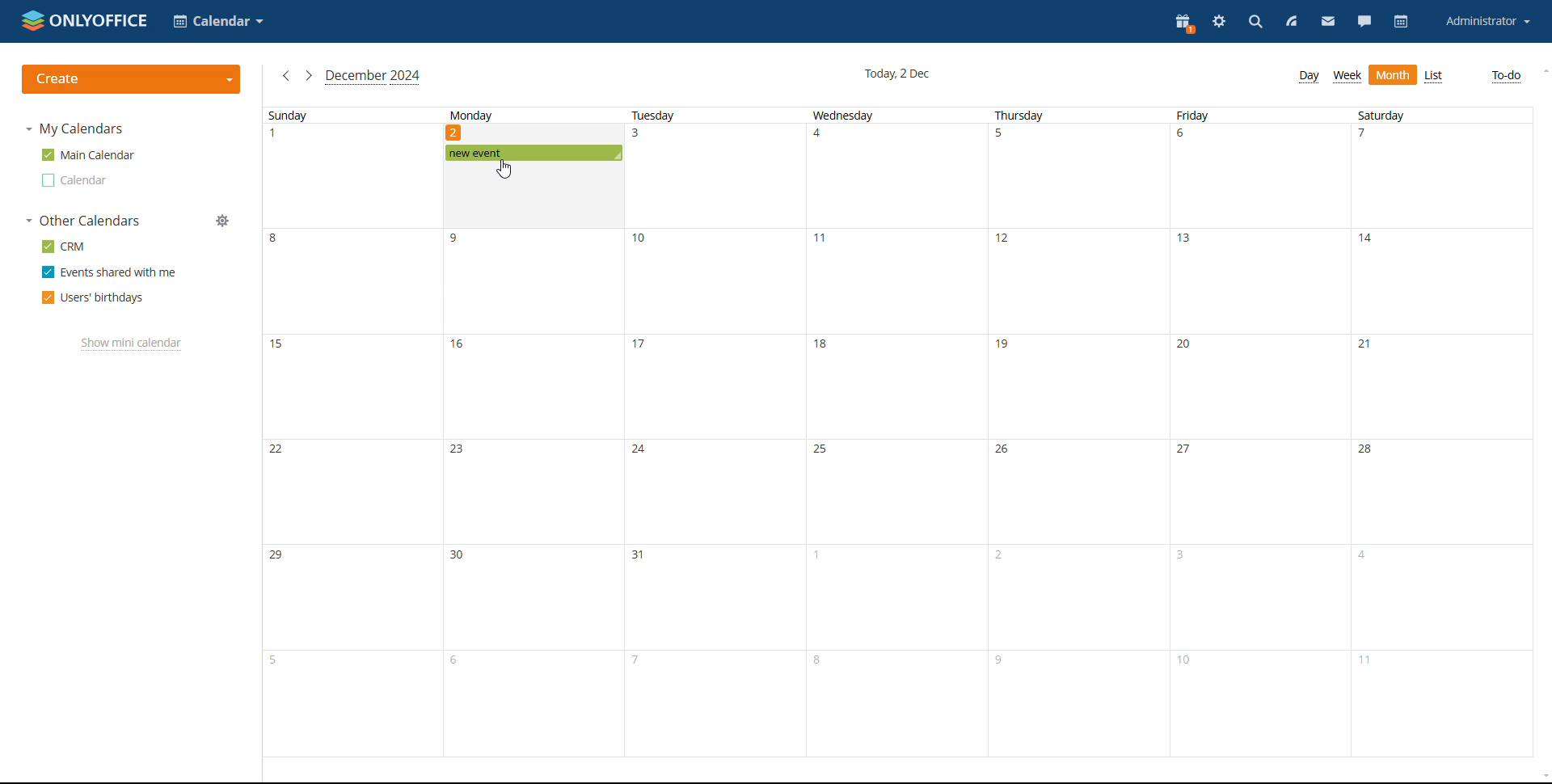 The width and height of the screenshot is (1552, 784). What do you see at coordinates (1488, 23) in the screenshot?
I see `account` at bounding box center [1488, 23].